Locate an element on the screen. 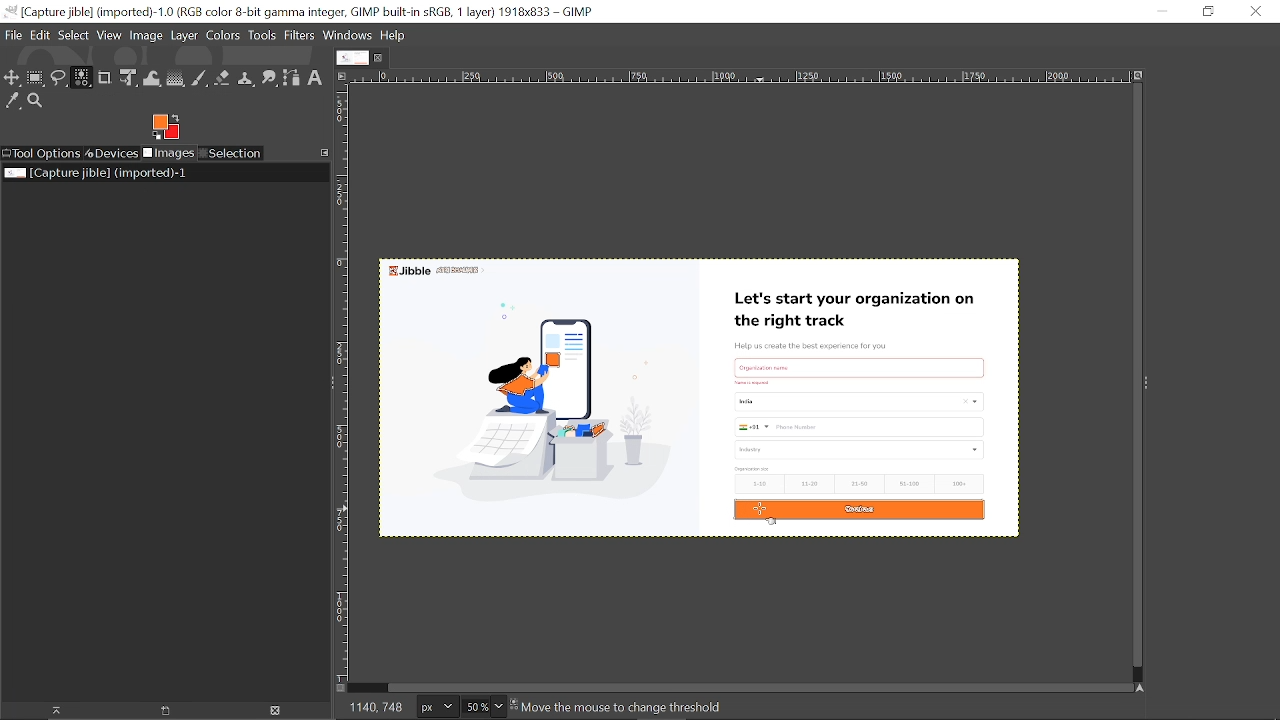 The height and width of the screenshot is (720, 1280). Cursor is located at coordinates (767, 516).